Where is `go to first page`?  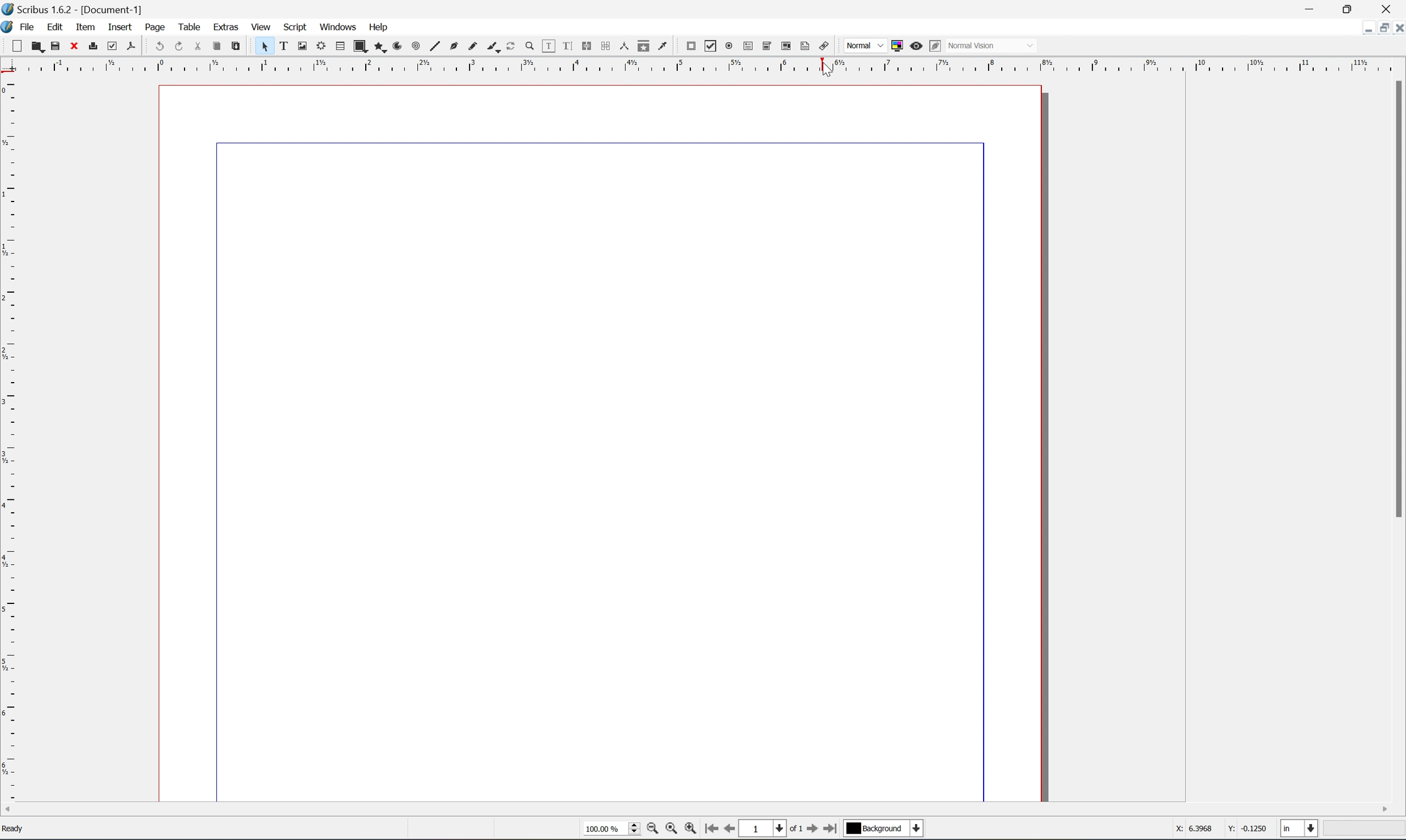
go to first page is located at coordinates (811, 830).